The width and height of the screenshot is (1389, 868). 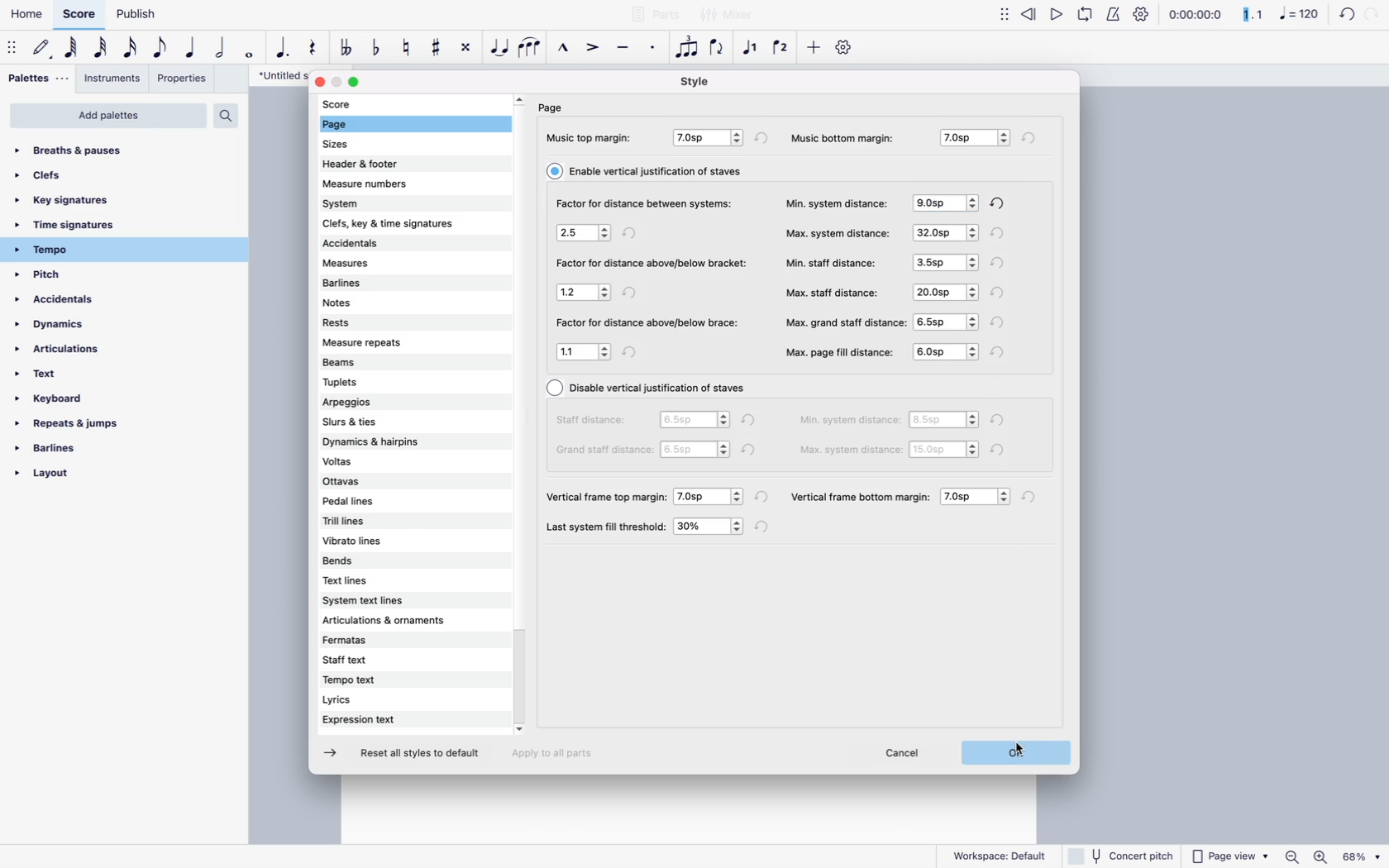 I want to click on repeats & jumps, so click(x=69, y=425).